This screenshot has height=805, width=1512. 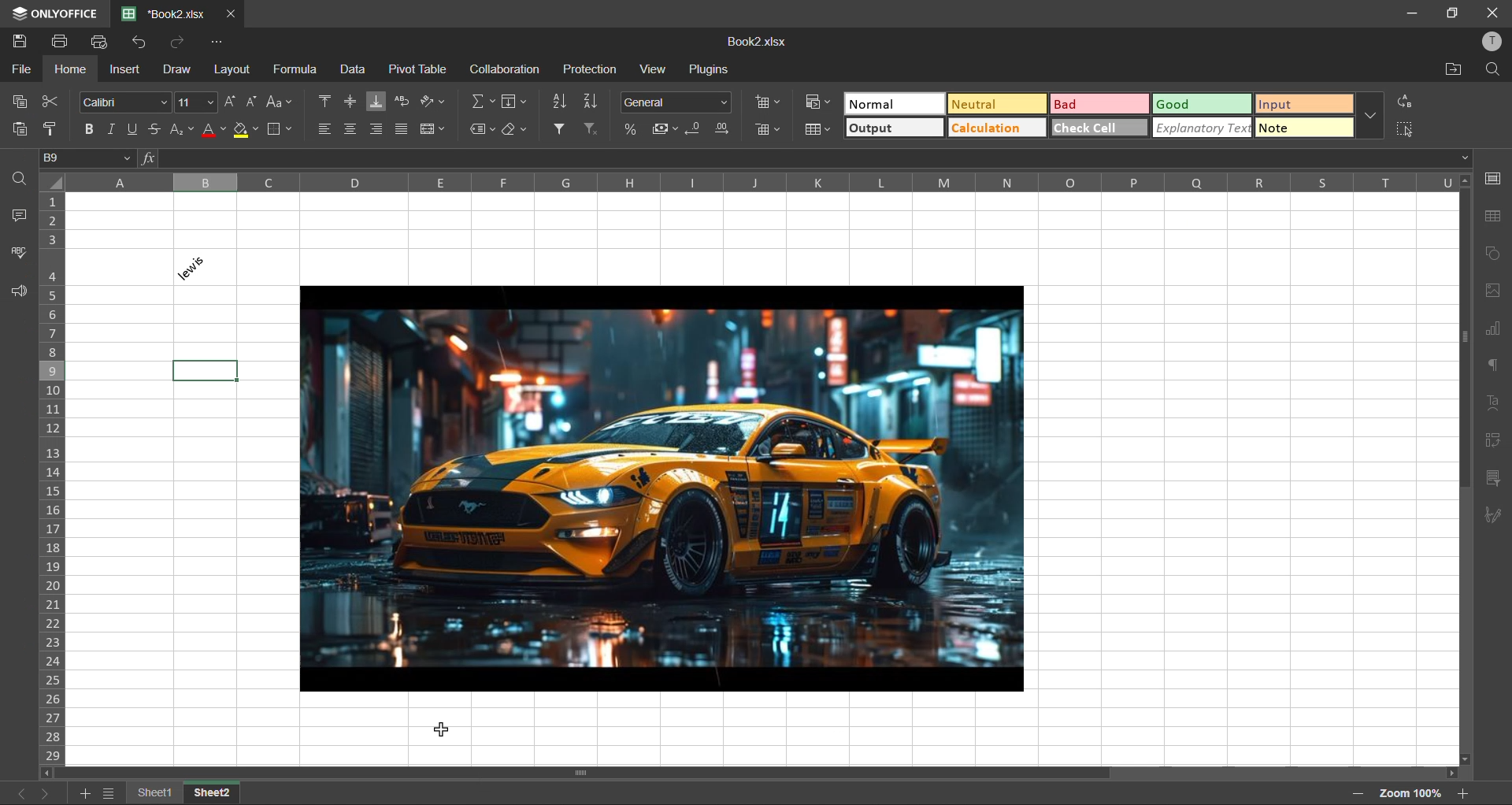 What do you see at coordinates (326, 99) in the screenshot?
I see `align top` at bounding box center [326, 99].